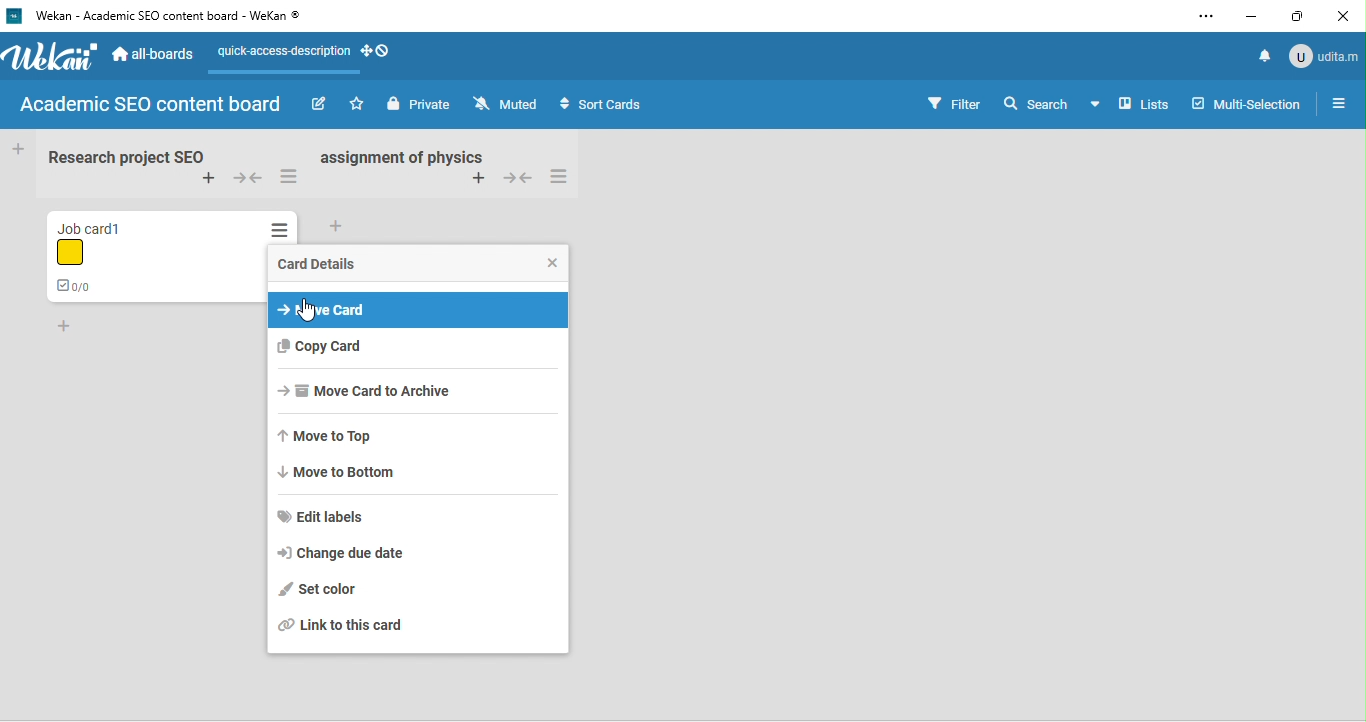 This screenshot has width=1366, height=722. Describe the element at coordinates (1246, 101) in the screenshot. I see `multi-selection` at that location.